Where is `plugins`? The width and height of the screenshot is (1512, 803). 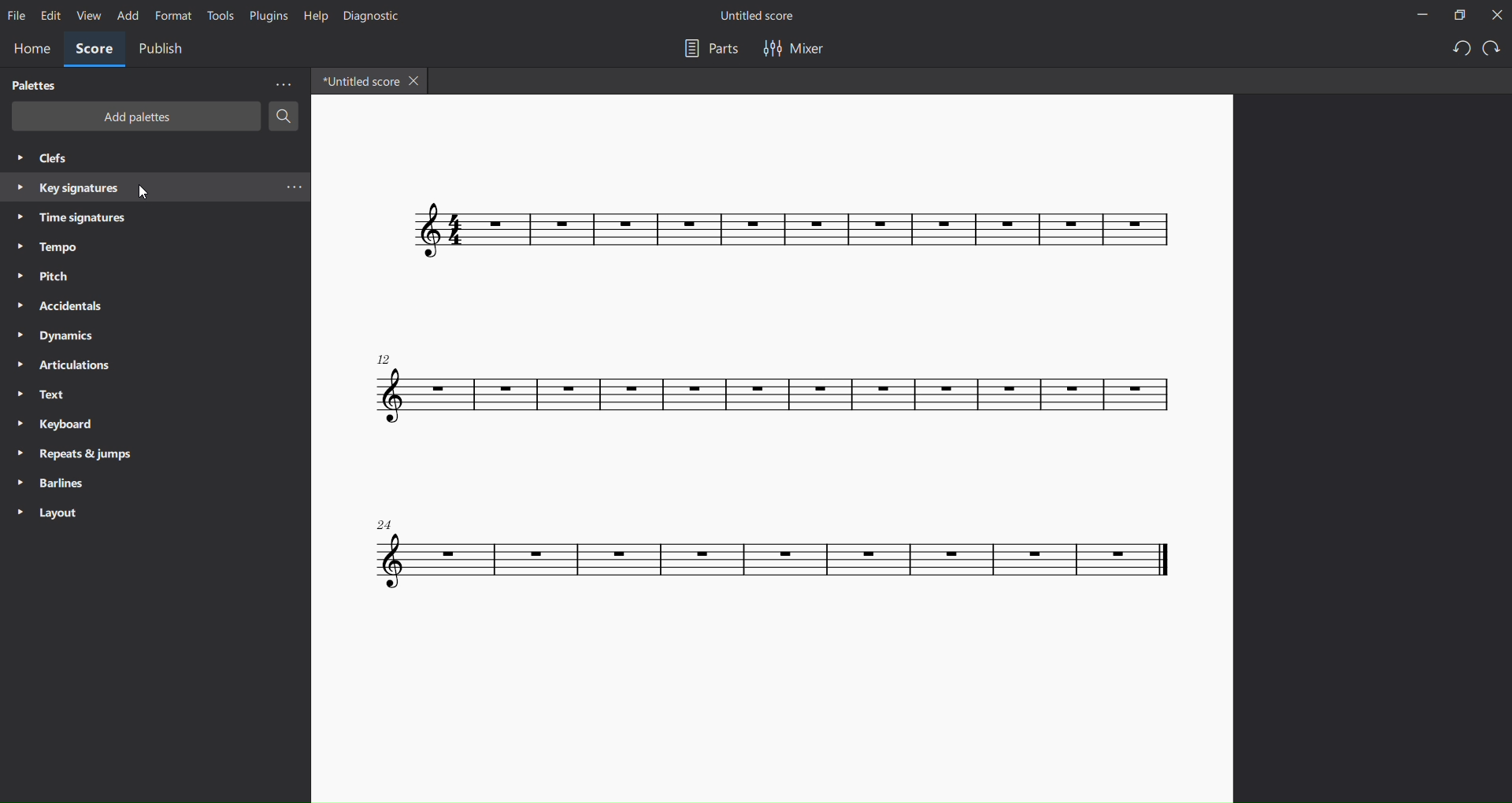 plugins is located at coordinates (266, 16).